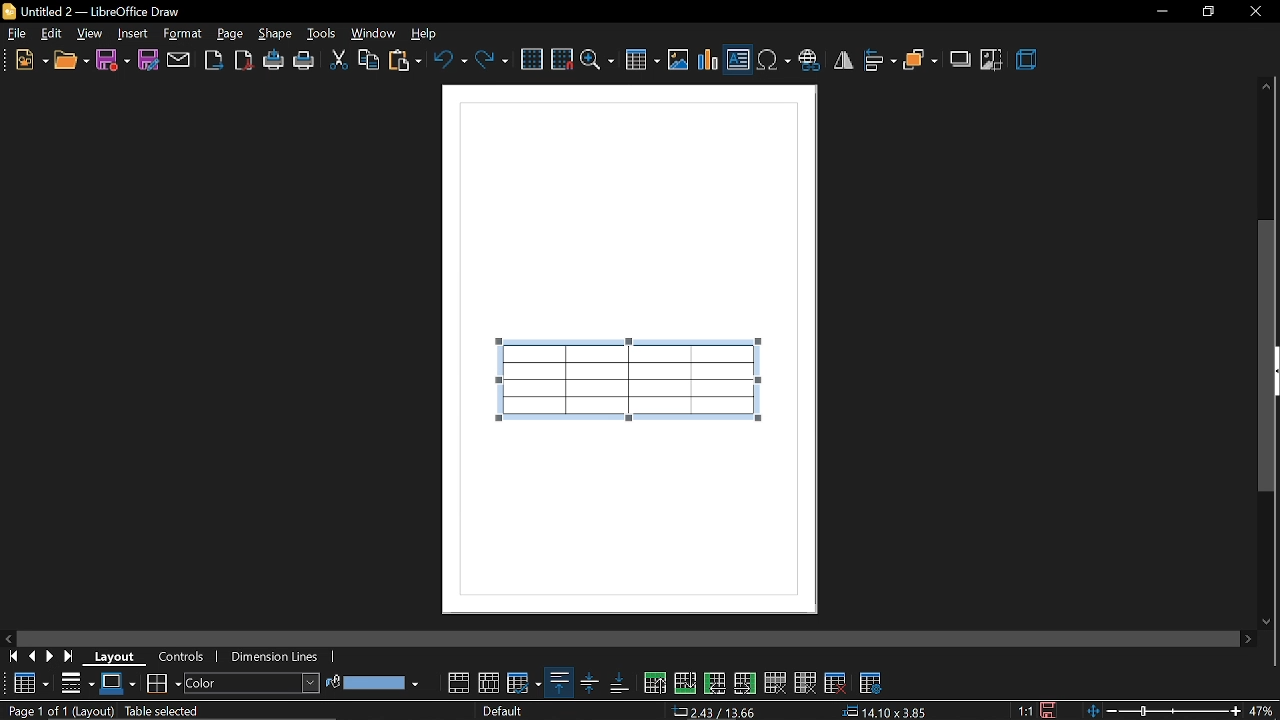 The width and height of the screenshot is (1280, 720). Describe the element at coordinates (490, 683) in the screenshot. I see `split cells` at that location.